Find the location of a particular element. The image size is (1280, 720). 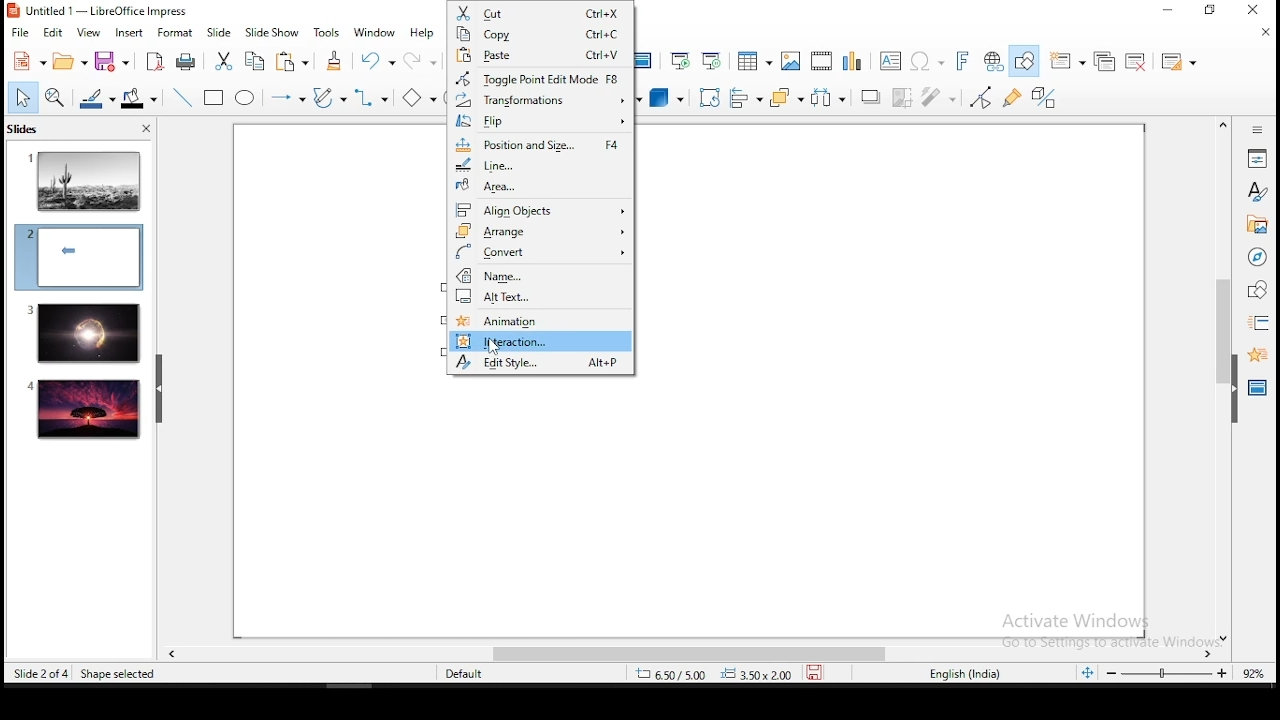

align objects is located at coordinates (540, 207).